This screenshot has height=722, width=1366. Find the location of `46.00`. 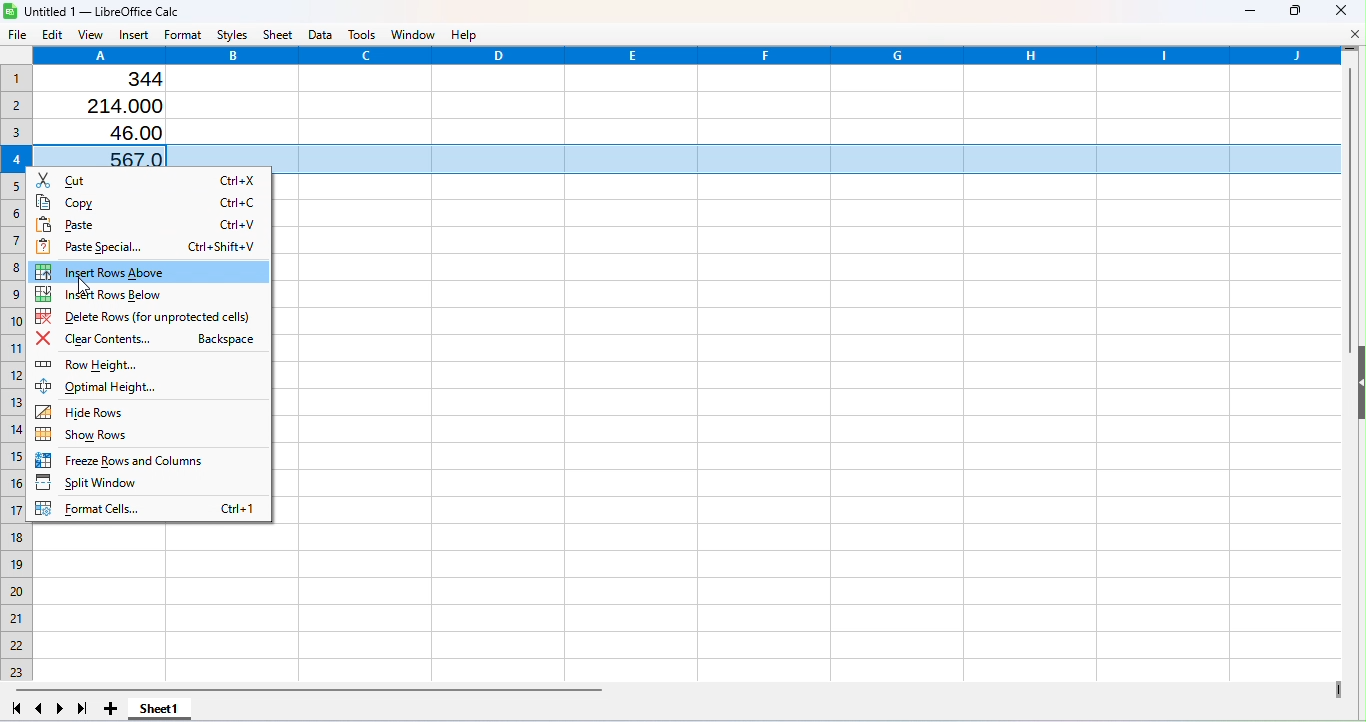

46.00 is located at coordinates (127, 134).